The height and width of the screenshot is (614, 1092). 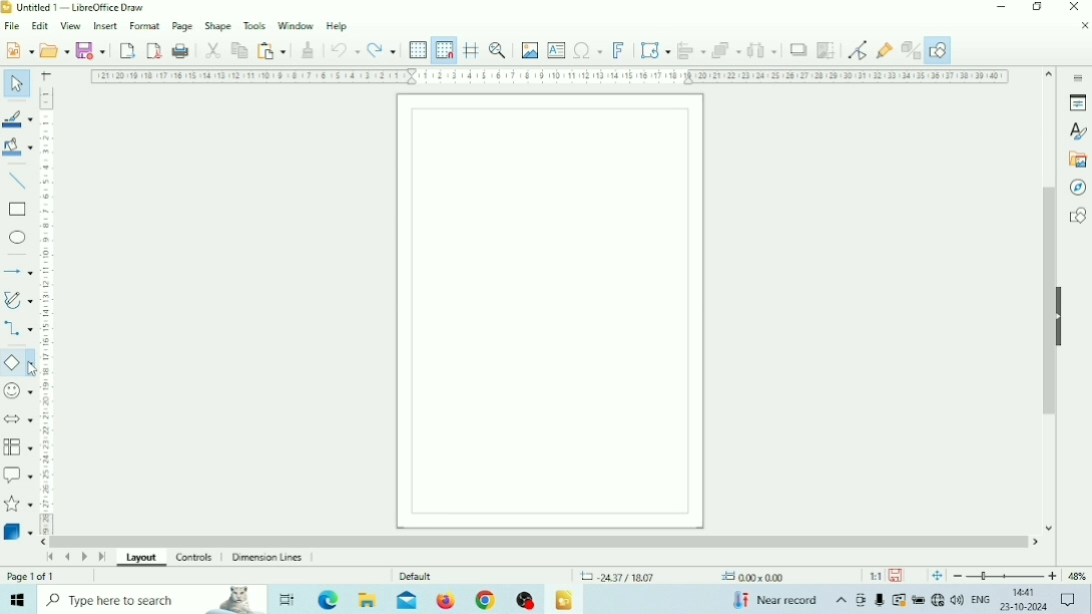 What do you see at coordinates (127, 50) in the screenshot?
I see `Export` at bounding box center [127, 50].